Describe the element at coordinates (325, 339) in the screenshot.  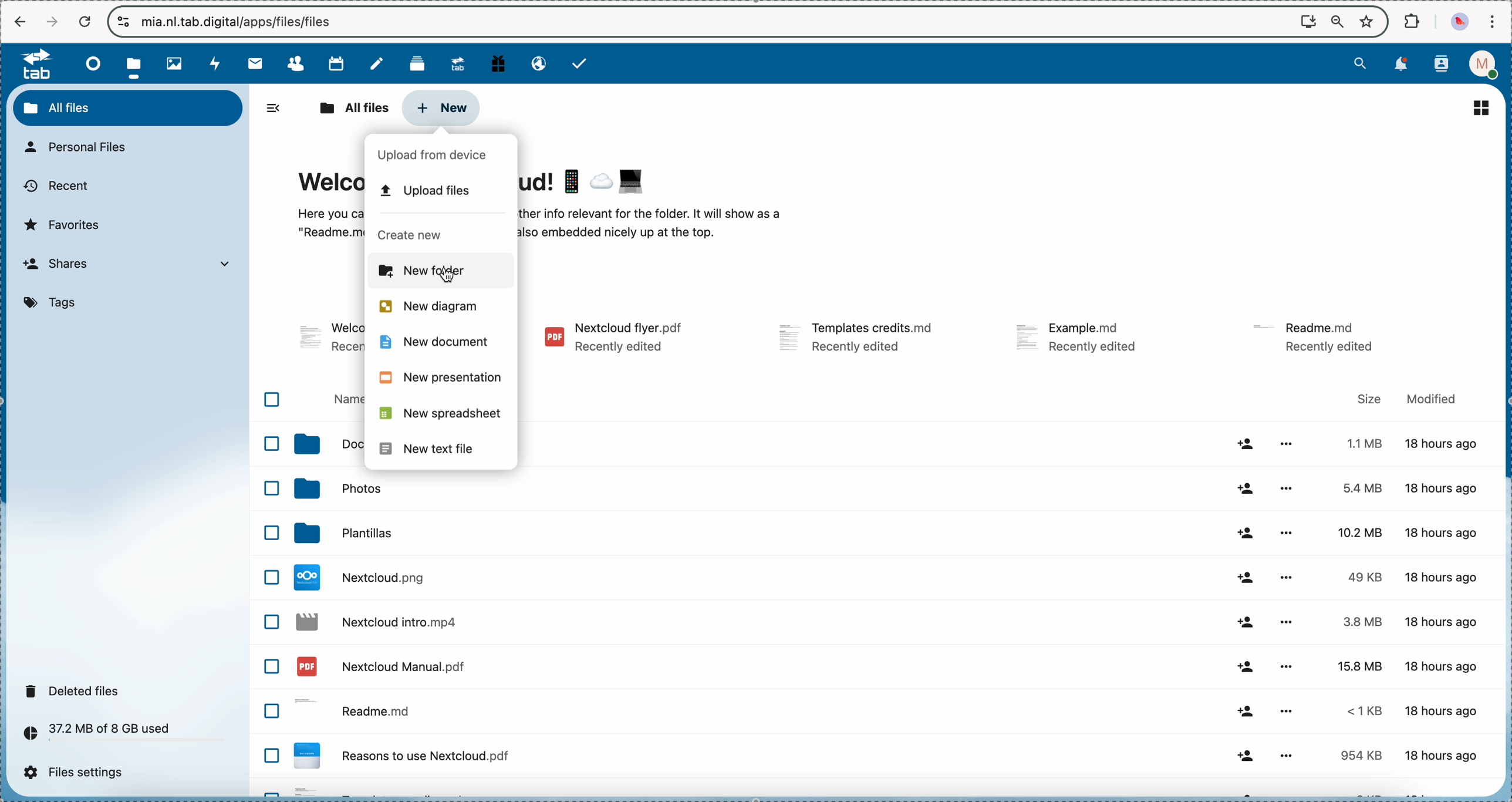
I see `file` at that location.